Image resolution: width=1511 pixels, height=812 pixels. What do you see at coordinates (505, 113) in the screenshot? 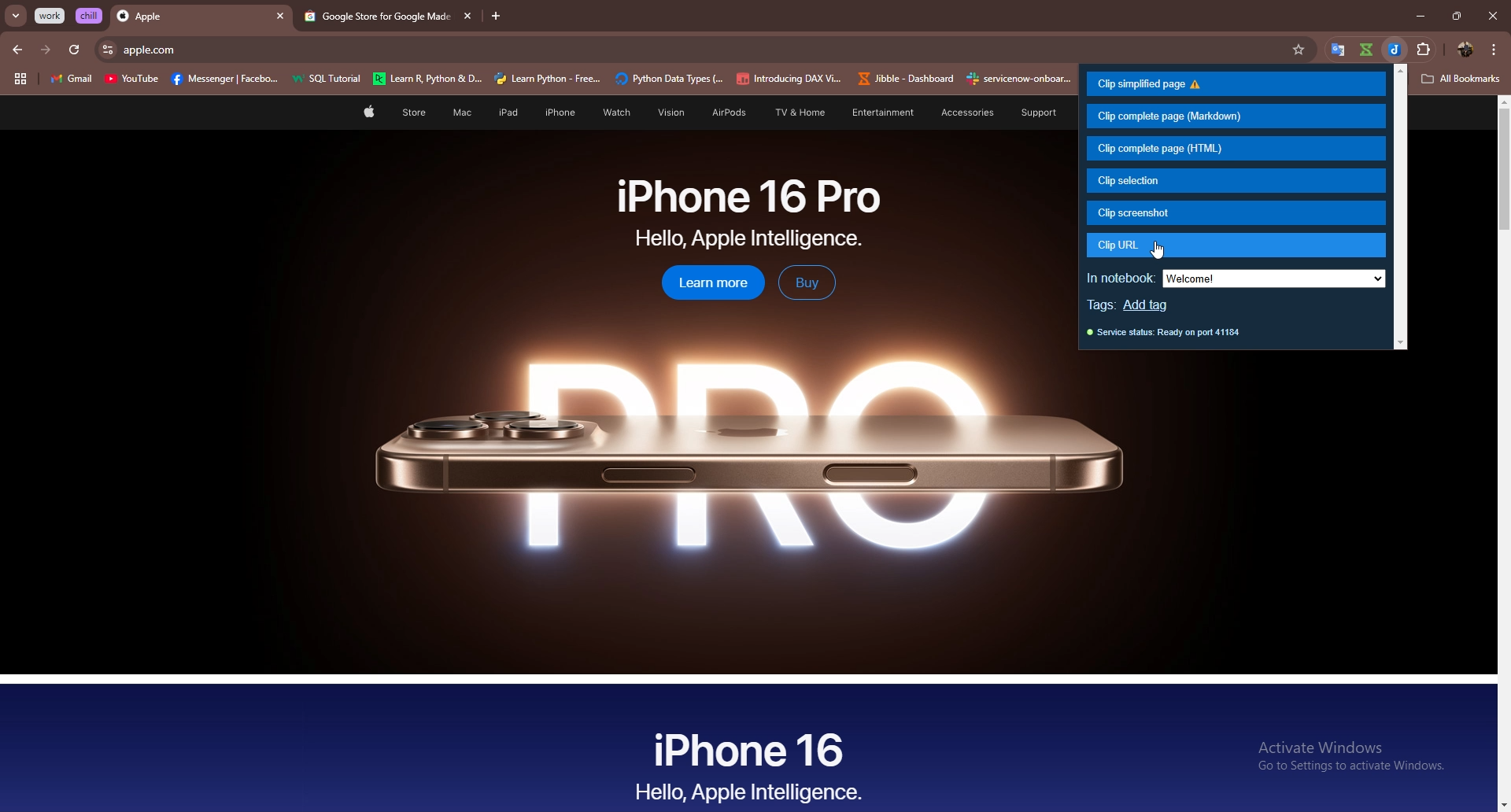
I see `iPad` at bounding box center [505, 113].